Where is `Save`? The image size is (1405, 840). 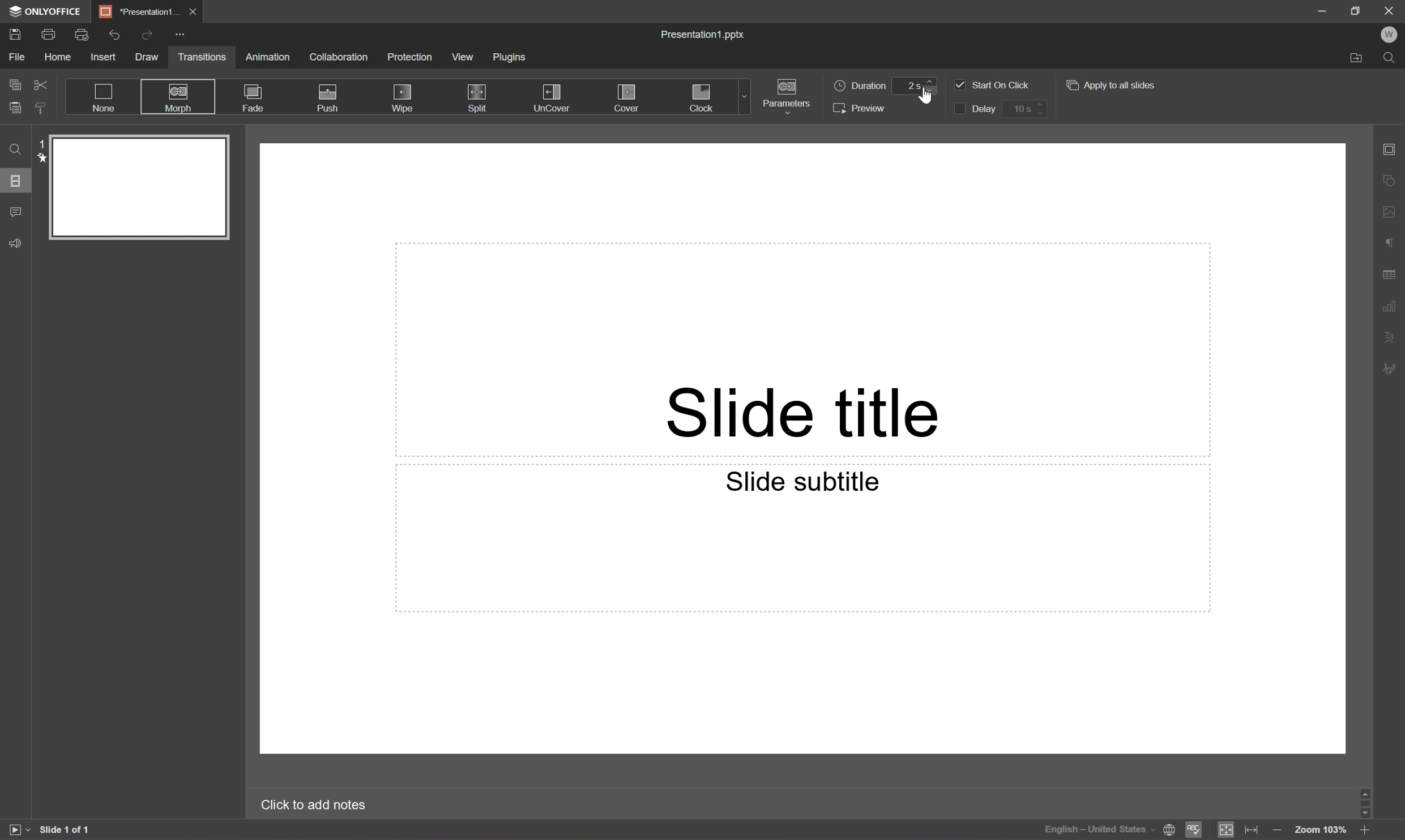 Save is located at coordinates (14, 36).